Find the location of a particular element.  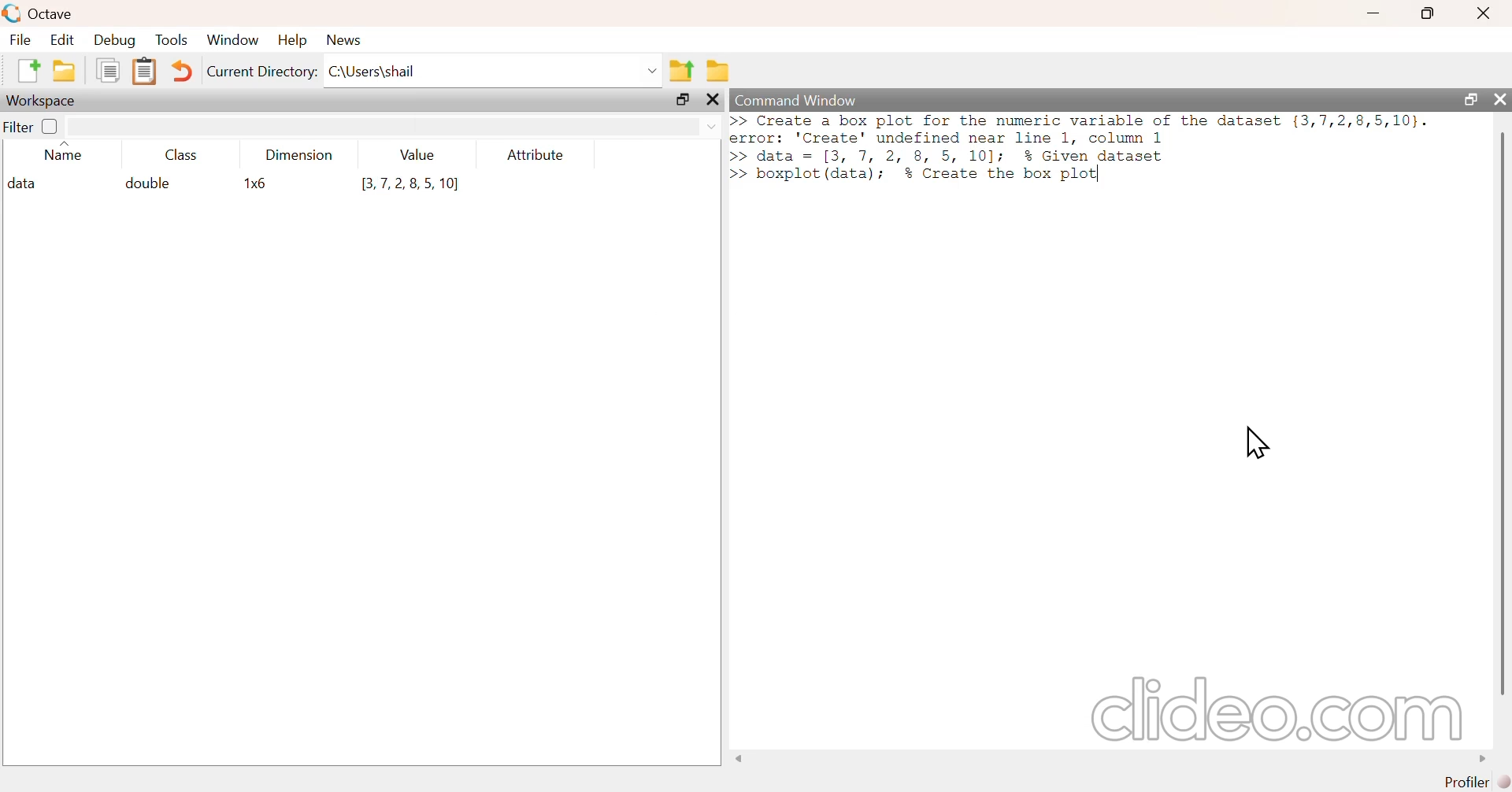

maximize is located at coordinates (677, 99).